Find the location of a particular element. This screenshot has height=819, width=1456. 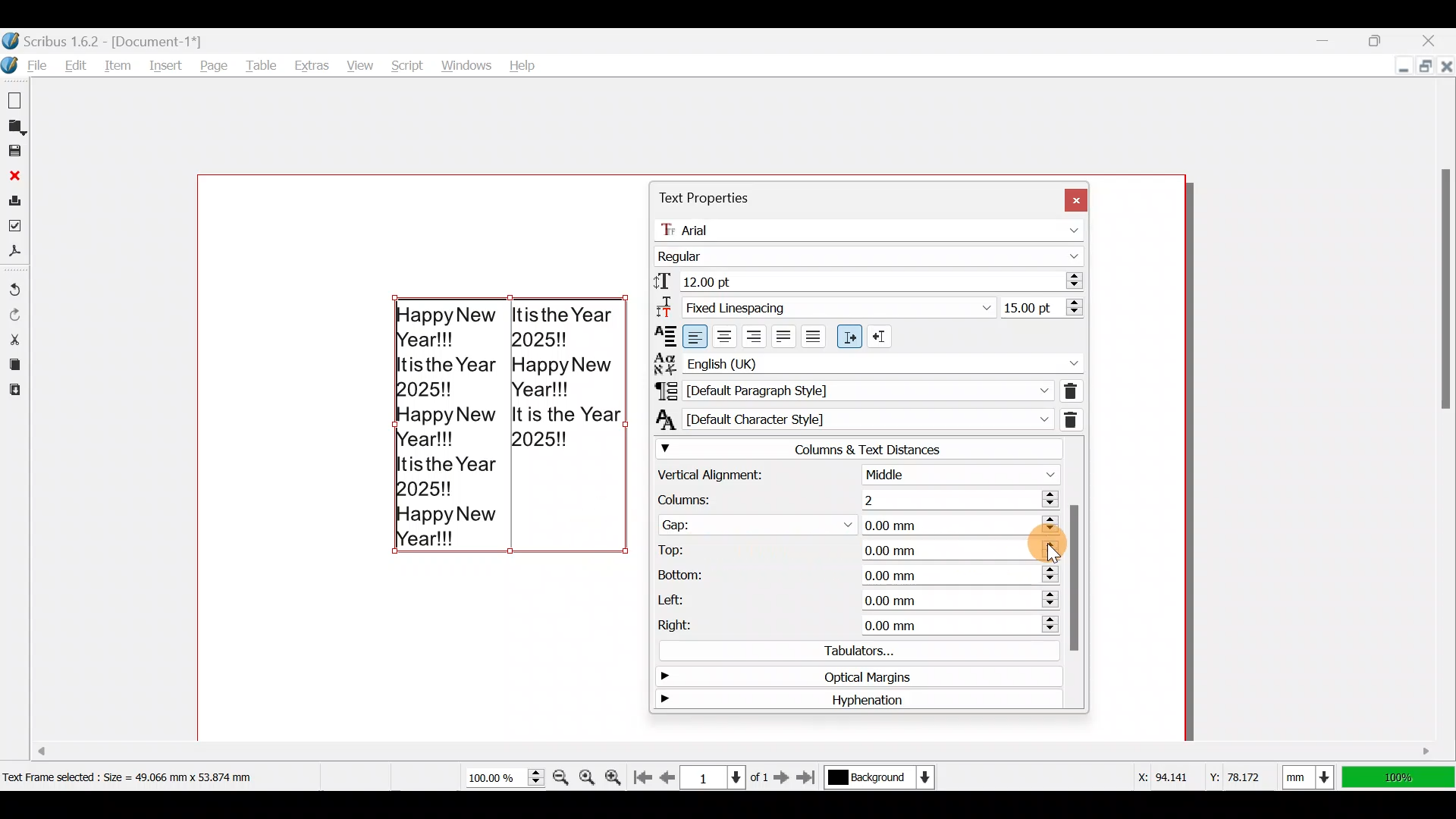

Redo is located at coordinates (17, 313).